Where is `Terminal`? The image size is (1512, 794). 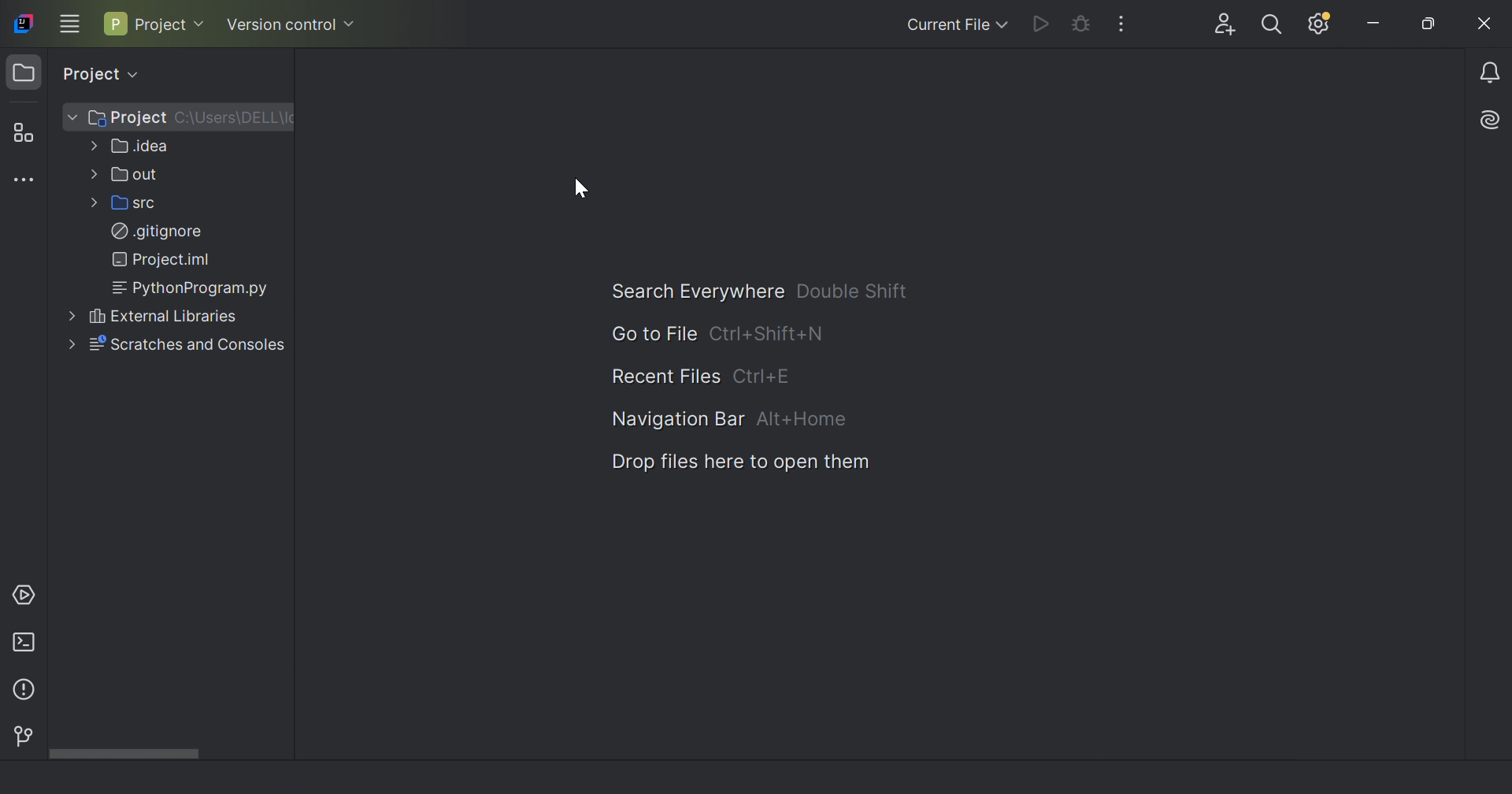 Terminal is located at coordinates (28, 642).